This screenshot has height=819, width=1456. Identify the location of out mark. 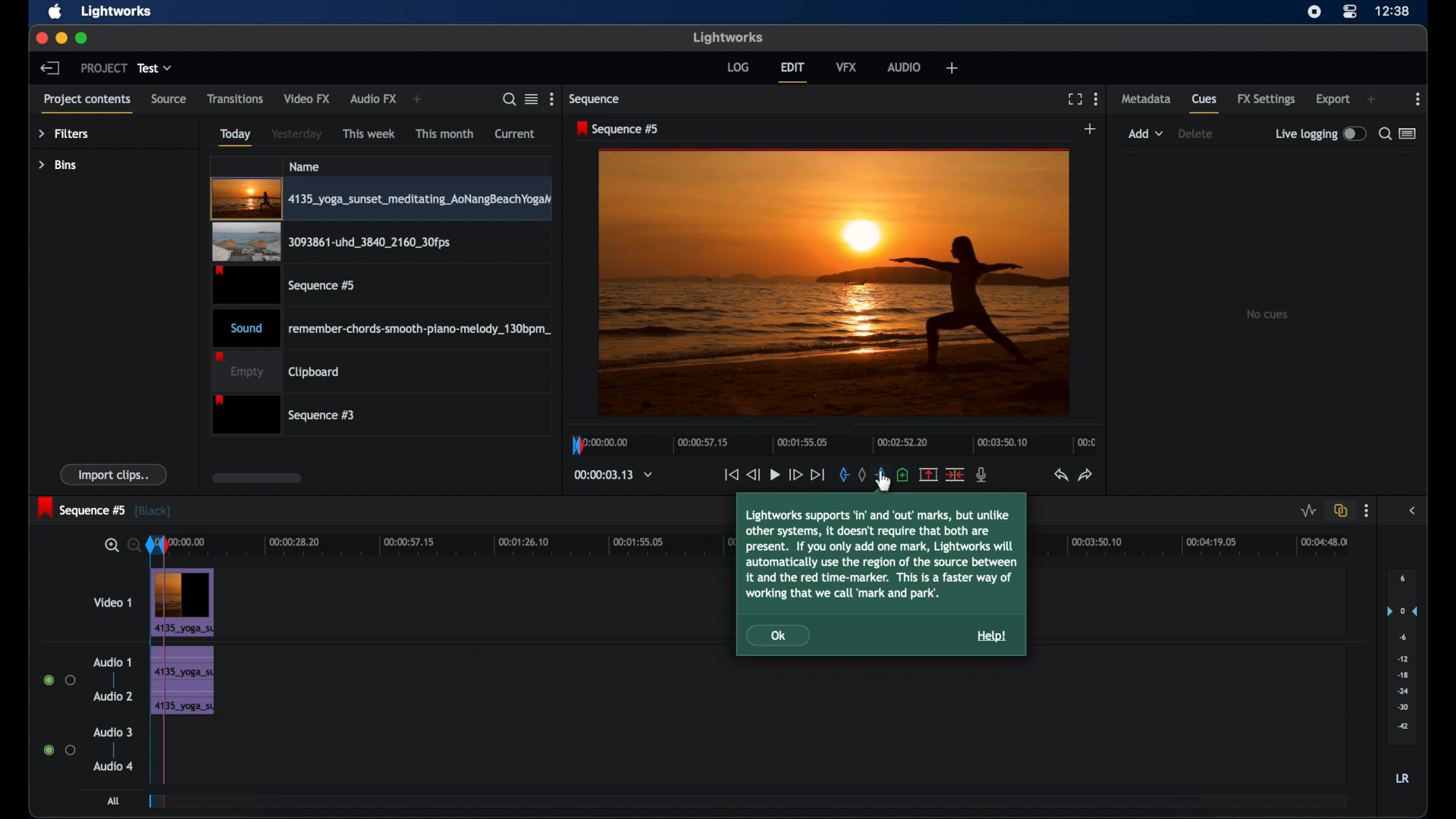
(879, 474).